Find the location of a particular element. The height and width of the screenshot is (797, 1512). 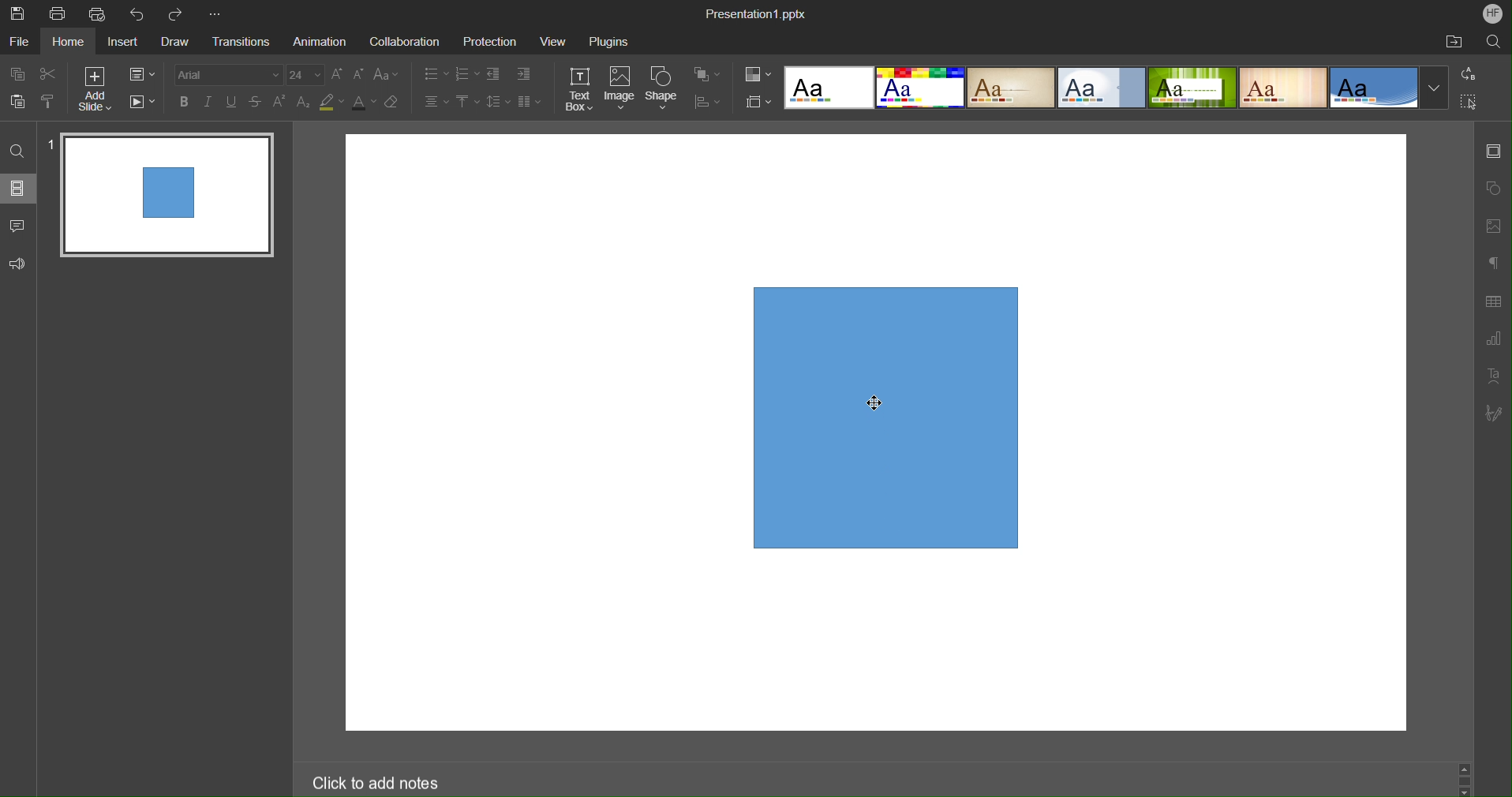

Click to add notes is located at coordinates (377, 783).